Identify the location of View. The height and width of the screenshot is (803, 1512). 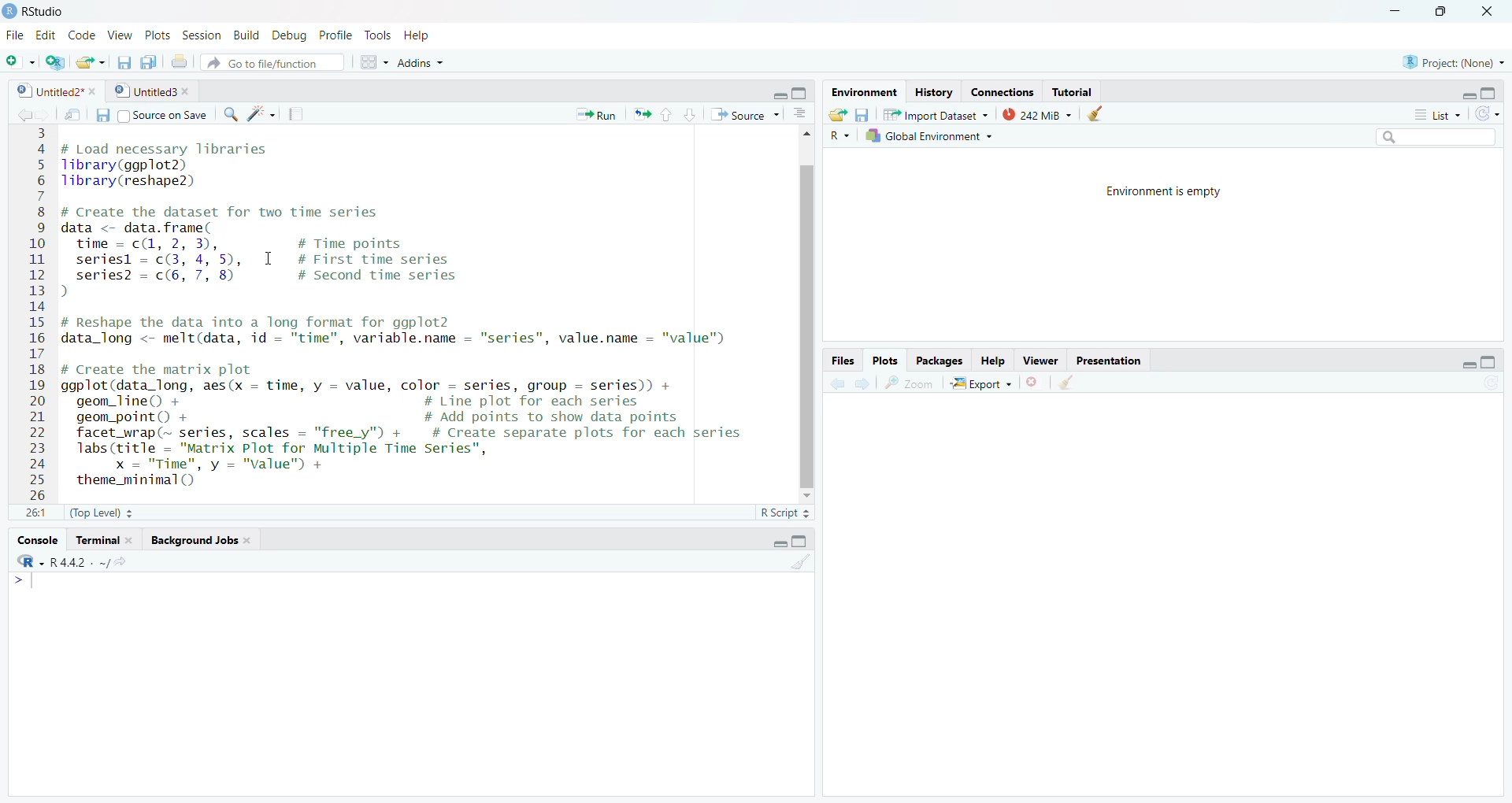
(120, 35).